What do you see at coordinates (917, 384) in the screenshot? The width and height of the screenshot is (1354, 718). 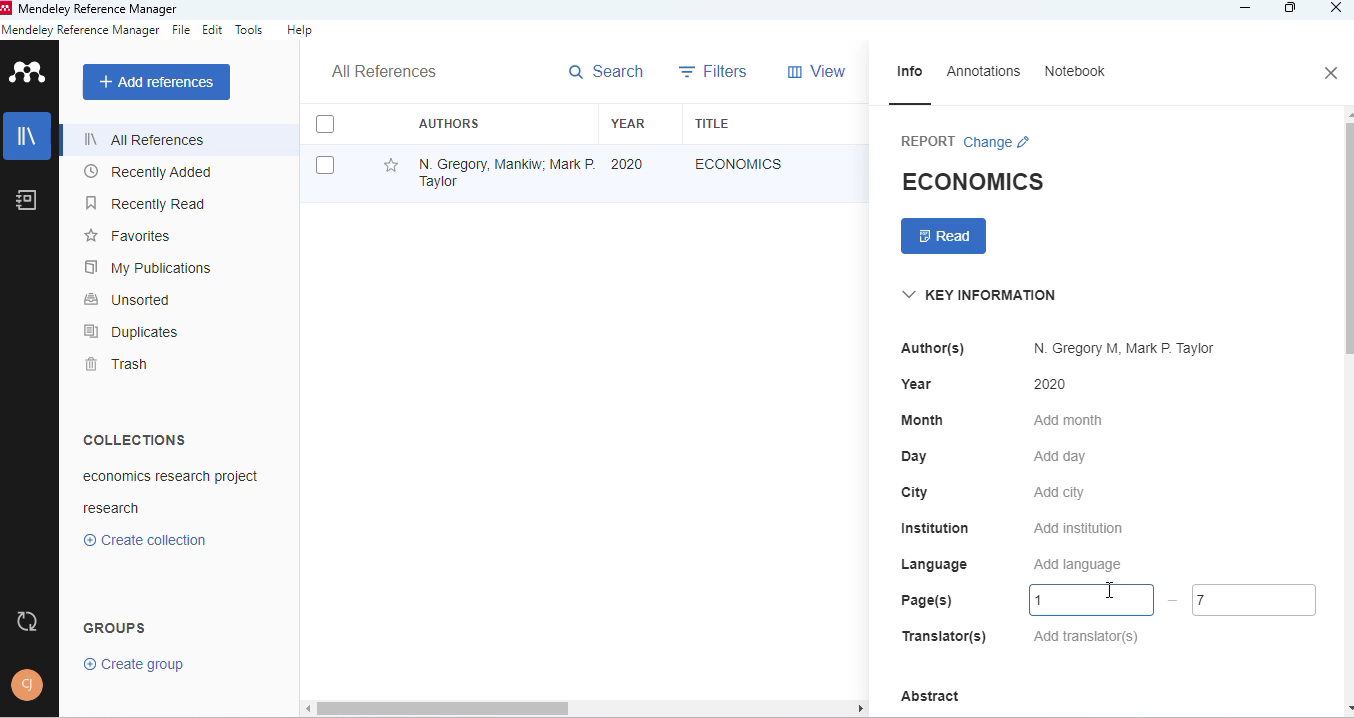 I see `year` at bounding box center [917, 384].